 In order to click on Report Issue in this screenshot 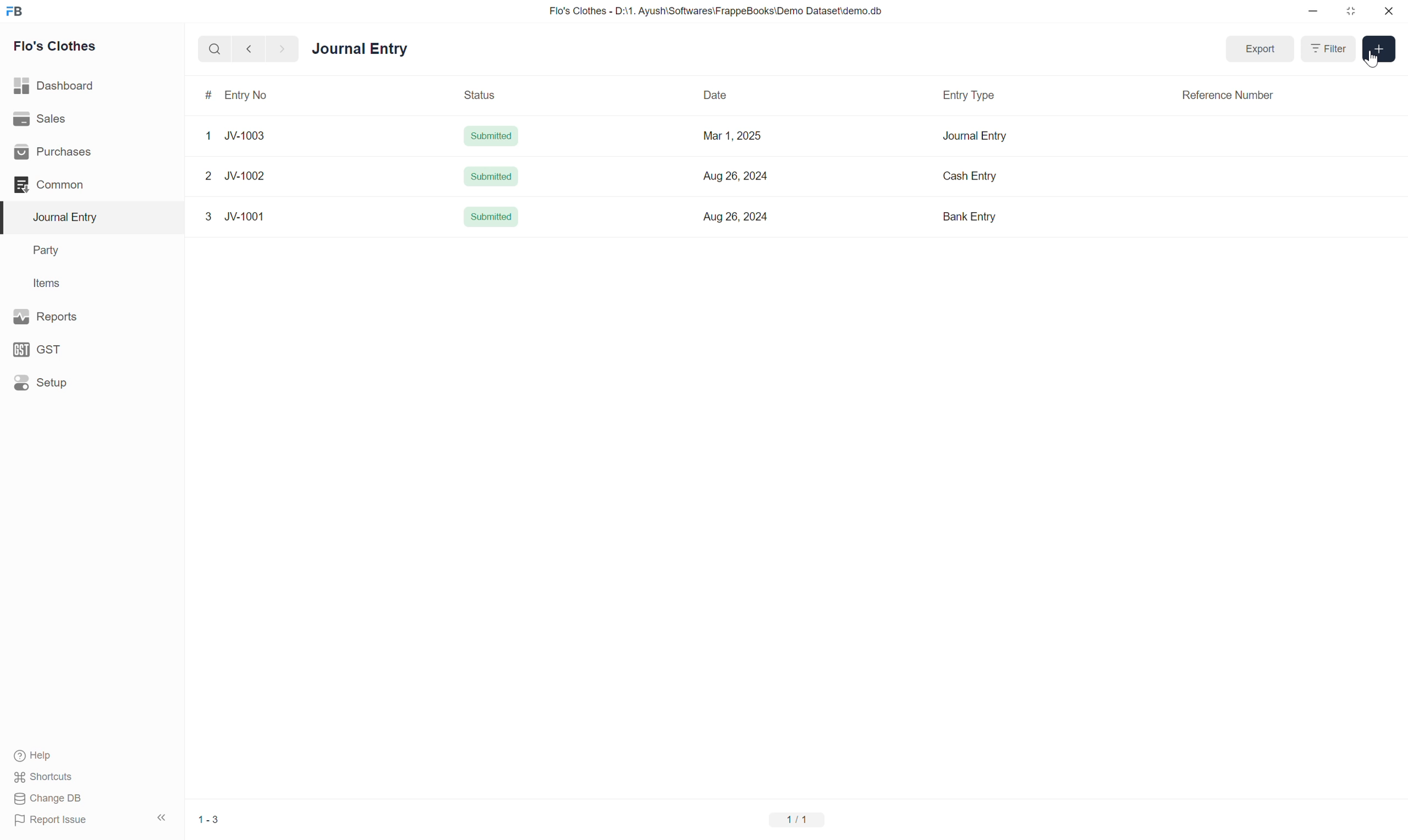, I will do `click(55, 821)`.